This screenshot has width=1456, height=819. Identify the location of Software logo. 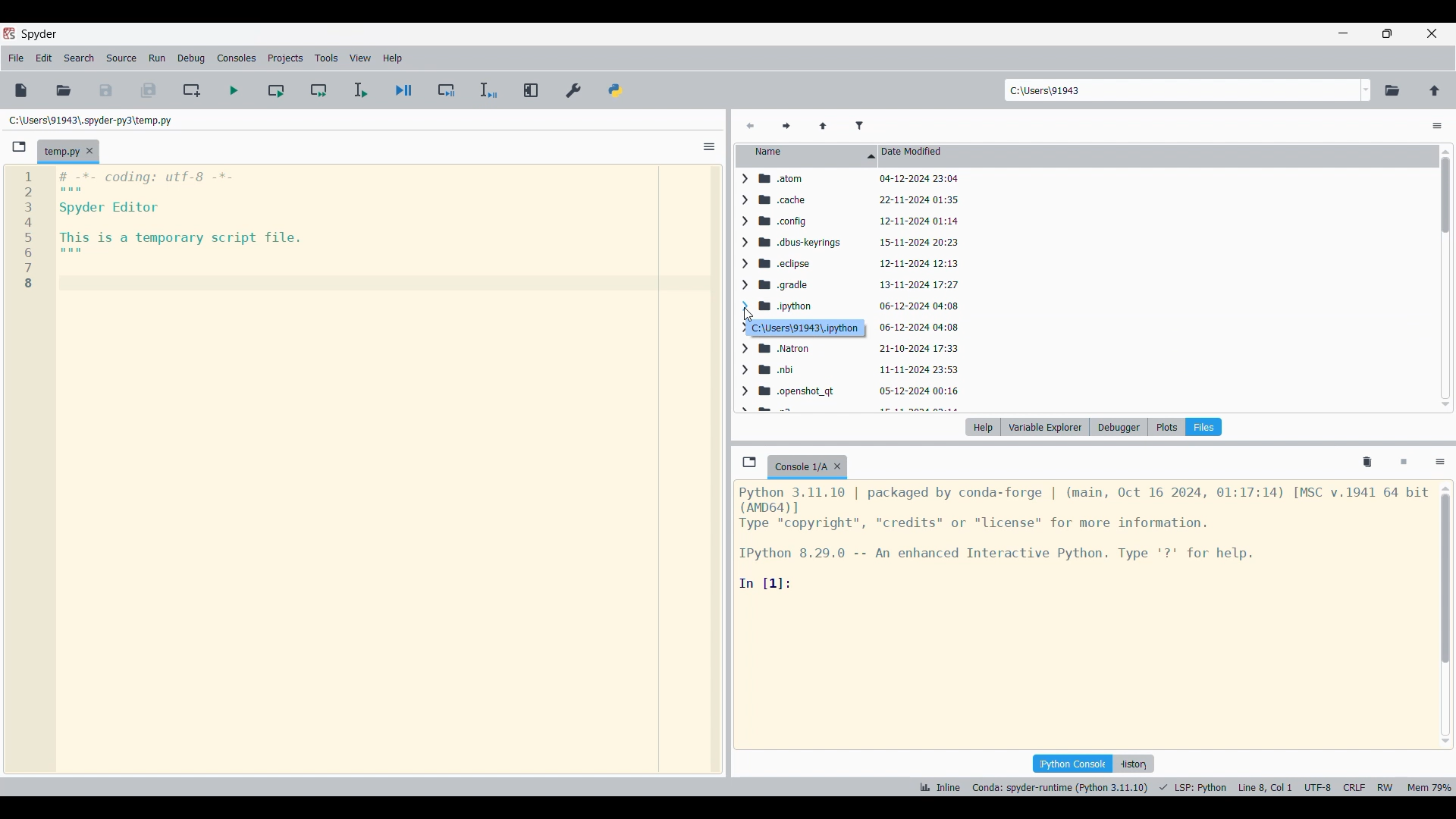
(9, 33).